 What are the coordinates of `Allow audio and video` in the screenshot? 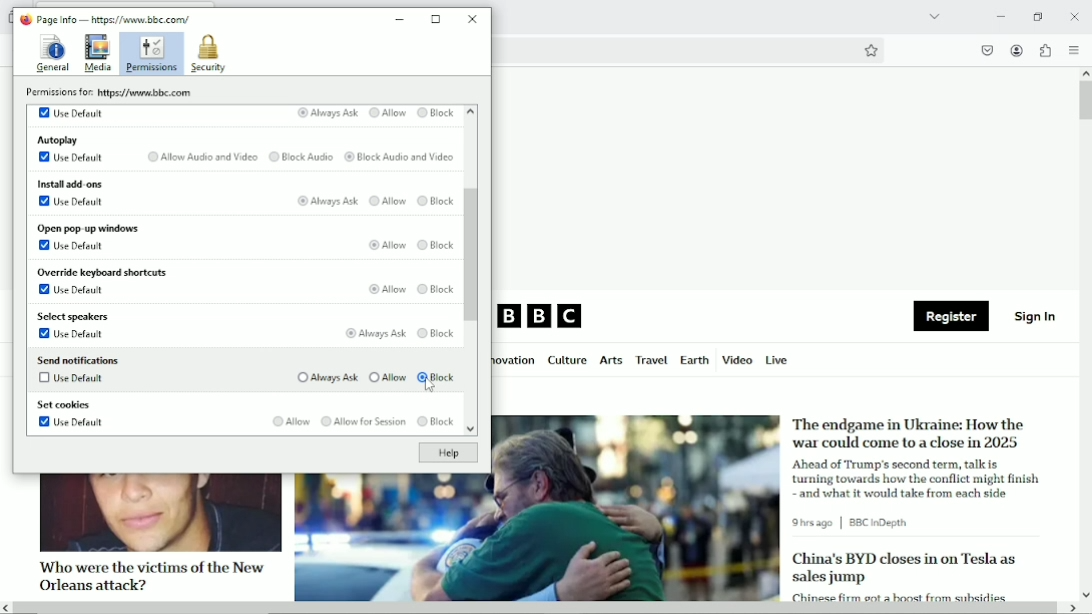 It's located at (200, 157).